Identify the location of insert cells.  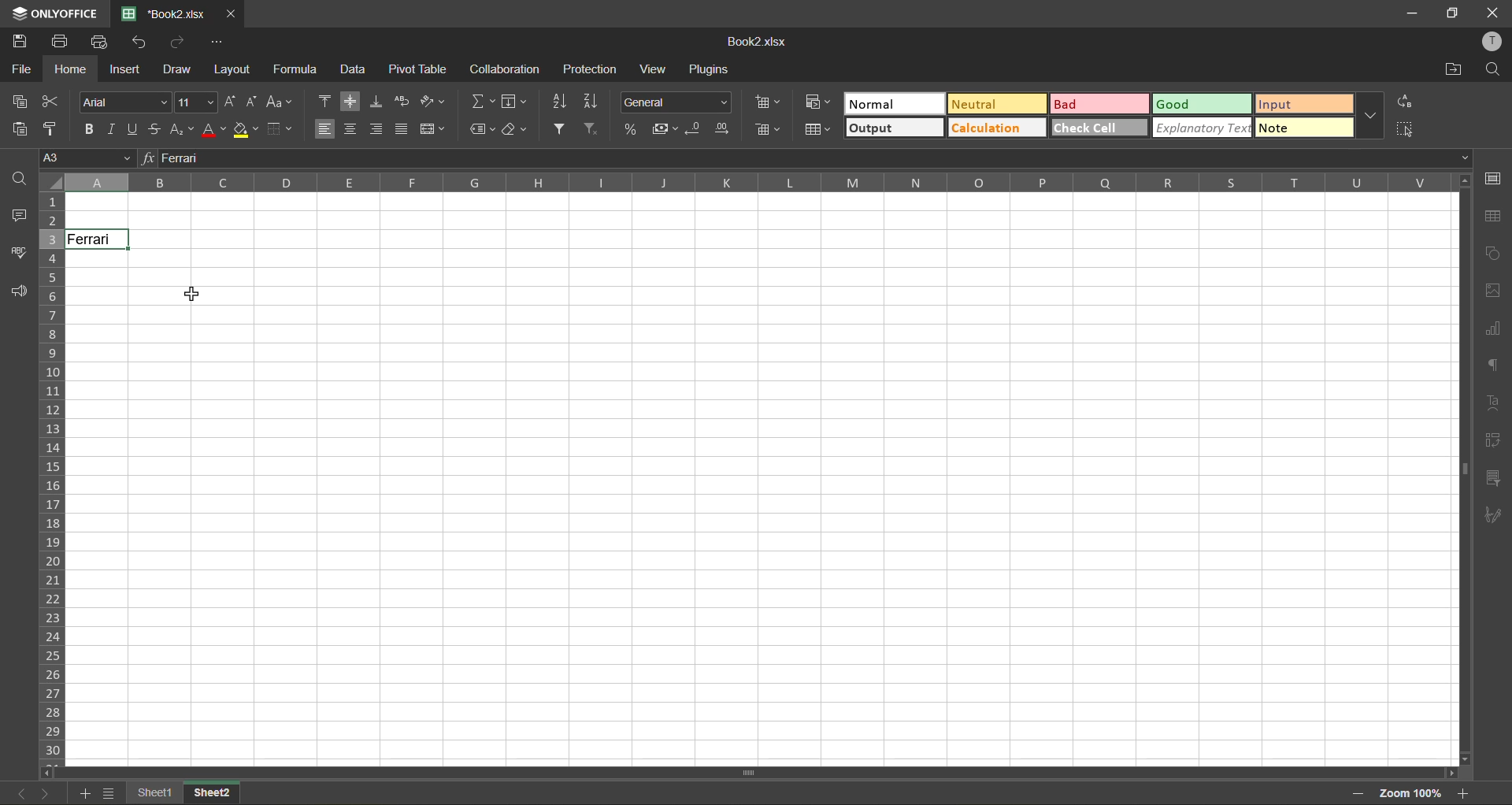
(770, 101).